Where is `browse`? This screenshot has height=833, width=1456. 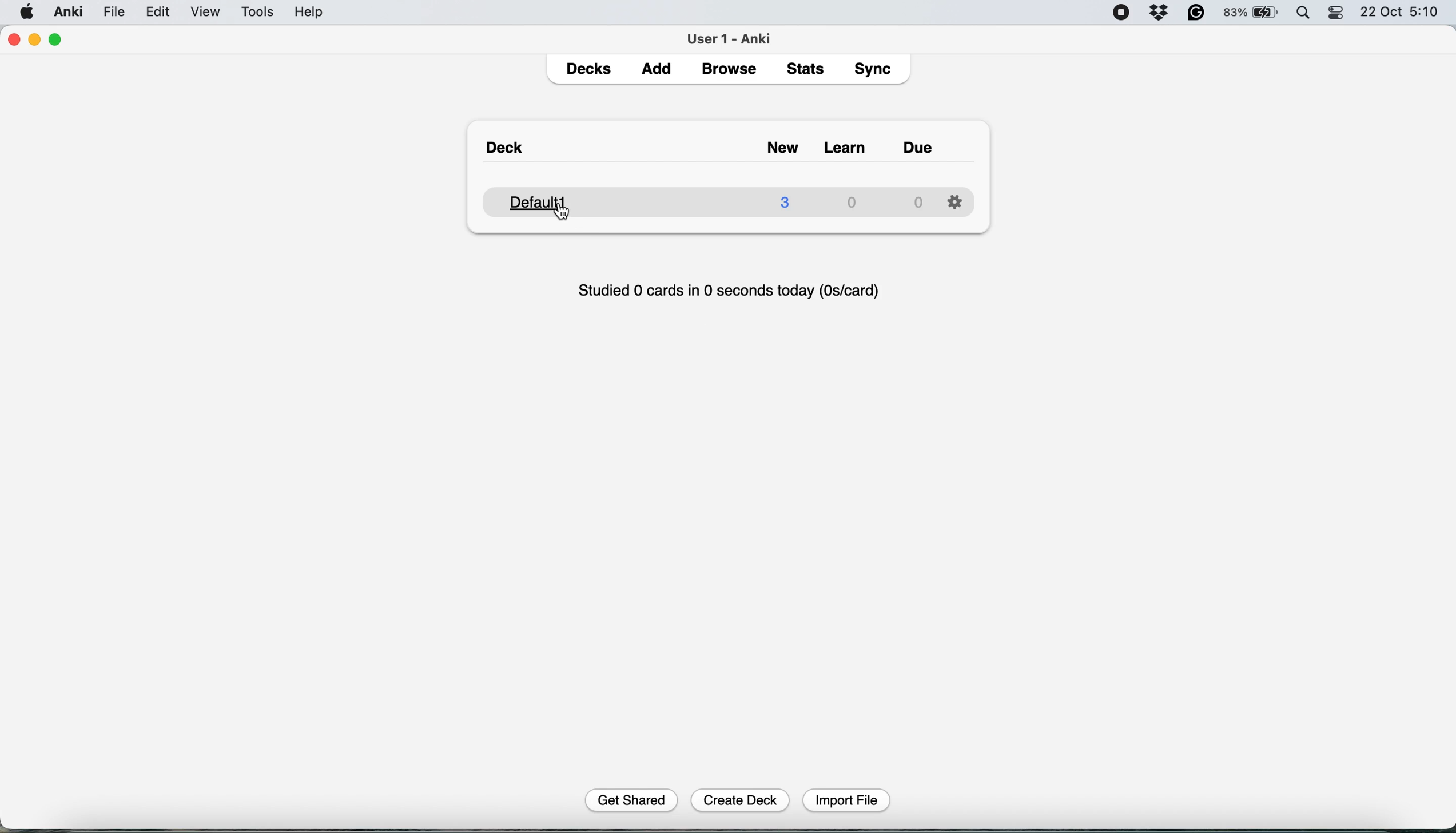 browse is located at coordinates (731, 71).